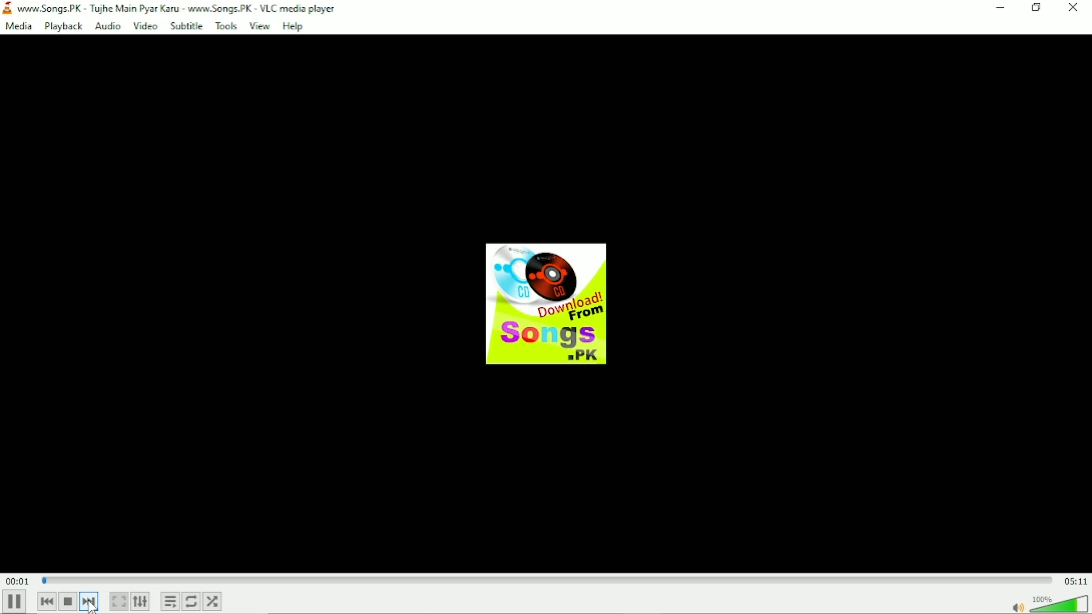  Describe the element at coordinates (1073, 8) in the screenshot. I see `Close` at that location.